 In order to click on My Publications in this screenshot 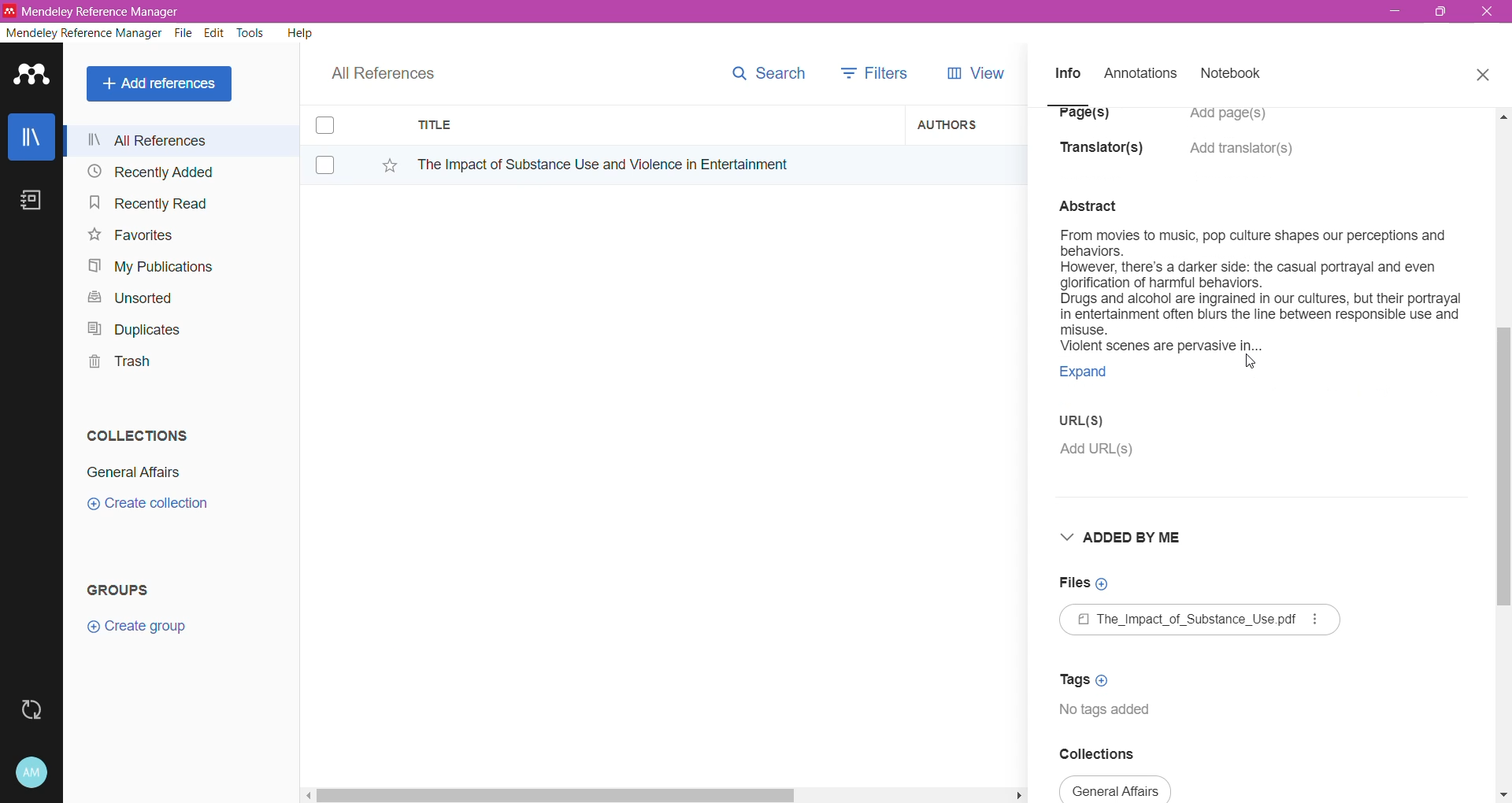, I will do `click(149, 267)`.